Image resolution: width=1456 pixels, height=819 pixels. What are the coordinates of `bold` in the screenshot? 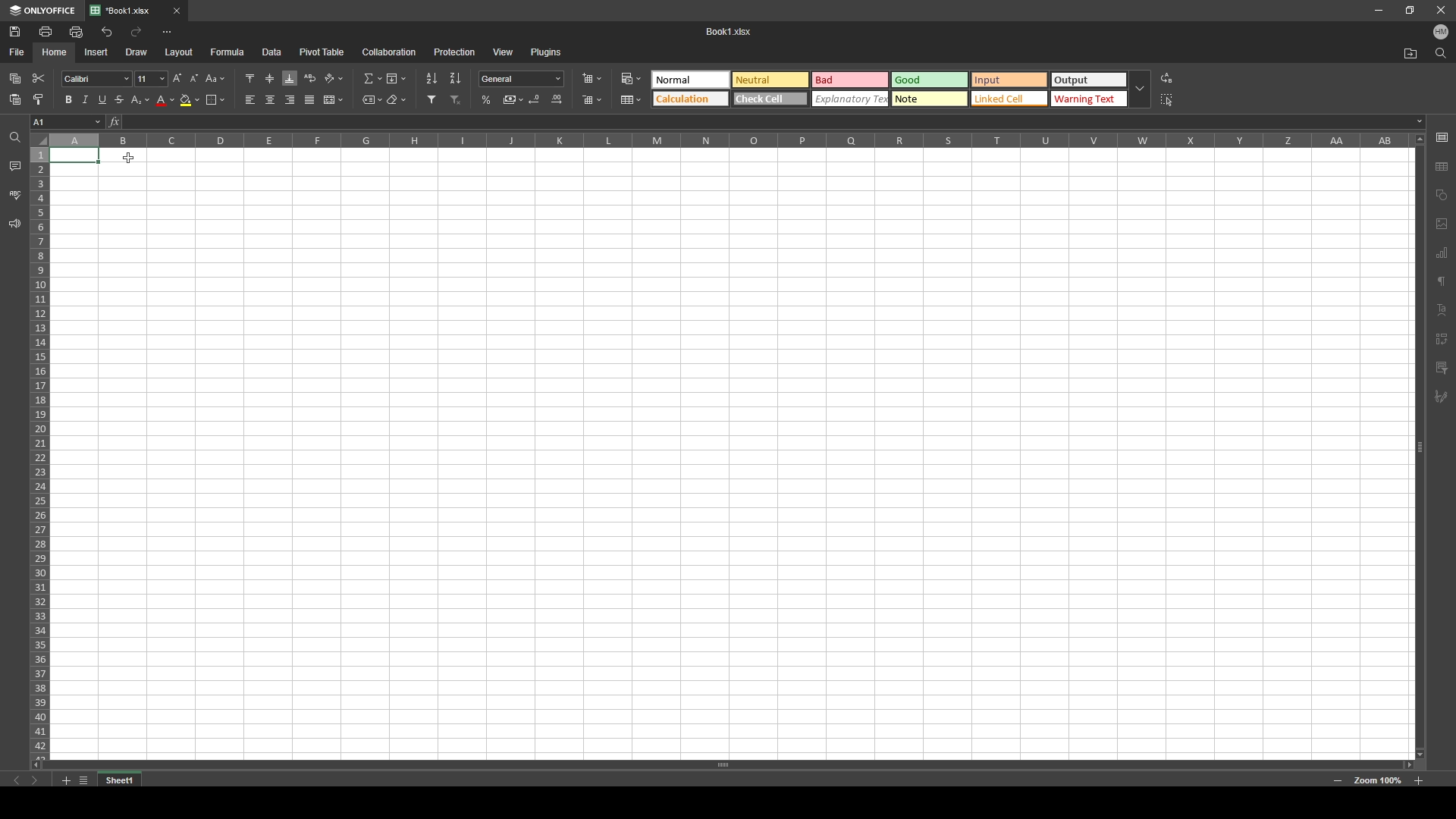 It's located at (67, 99).